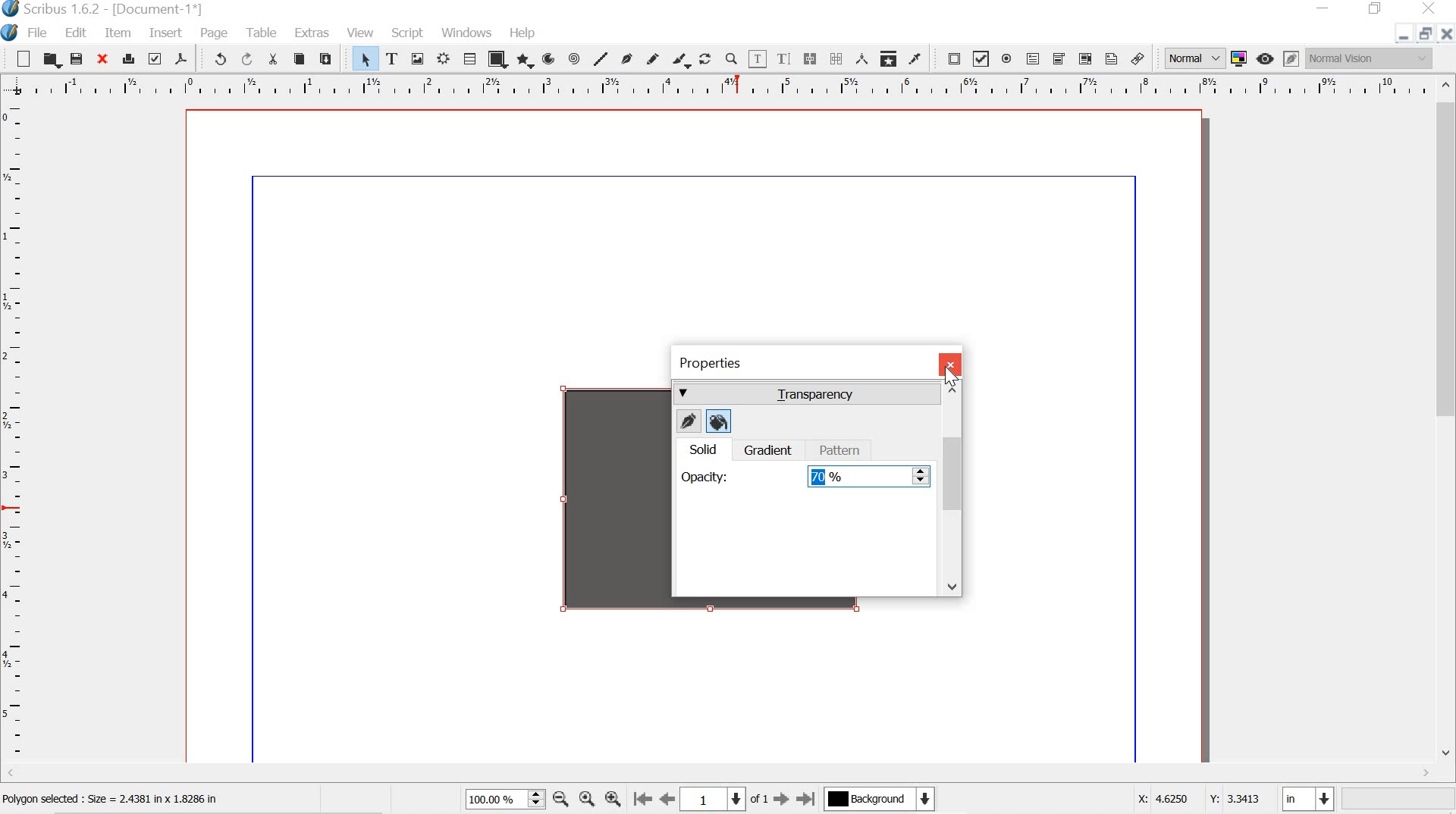 The height and width of the screenshot is (814, 1456). Describe the element at coordinates (868, 477) in the screenshot. I see `70% opacity` at that location.